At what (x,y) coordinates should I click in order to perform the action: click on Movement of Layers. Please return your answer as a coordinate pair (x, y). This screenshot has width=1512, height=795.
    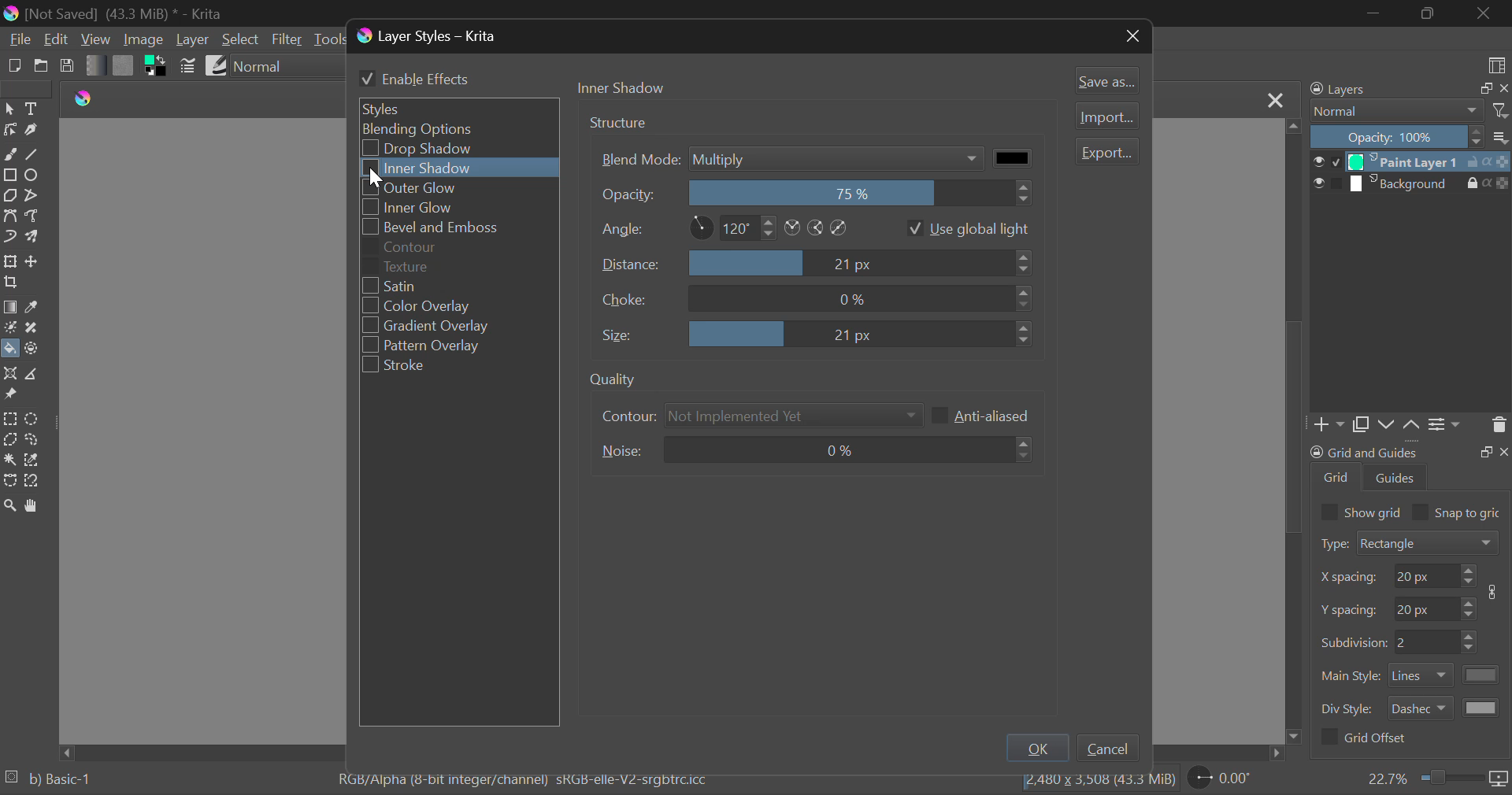
    Looking at the image, I should click on (1402, 426).